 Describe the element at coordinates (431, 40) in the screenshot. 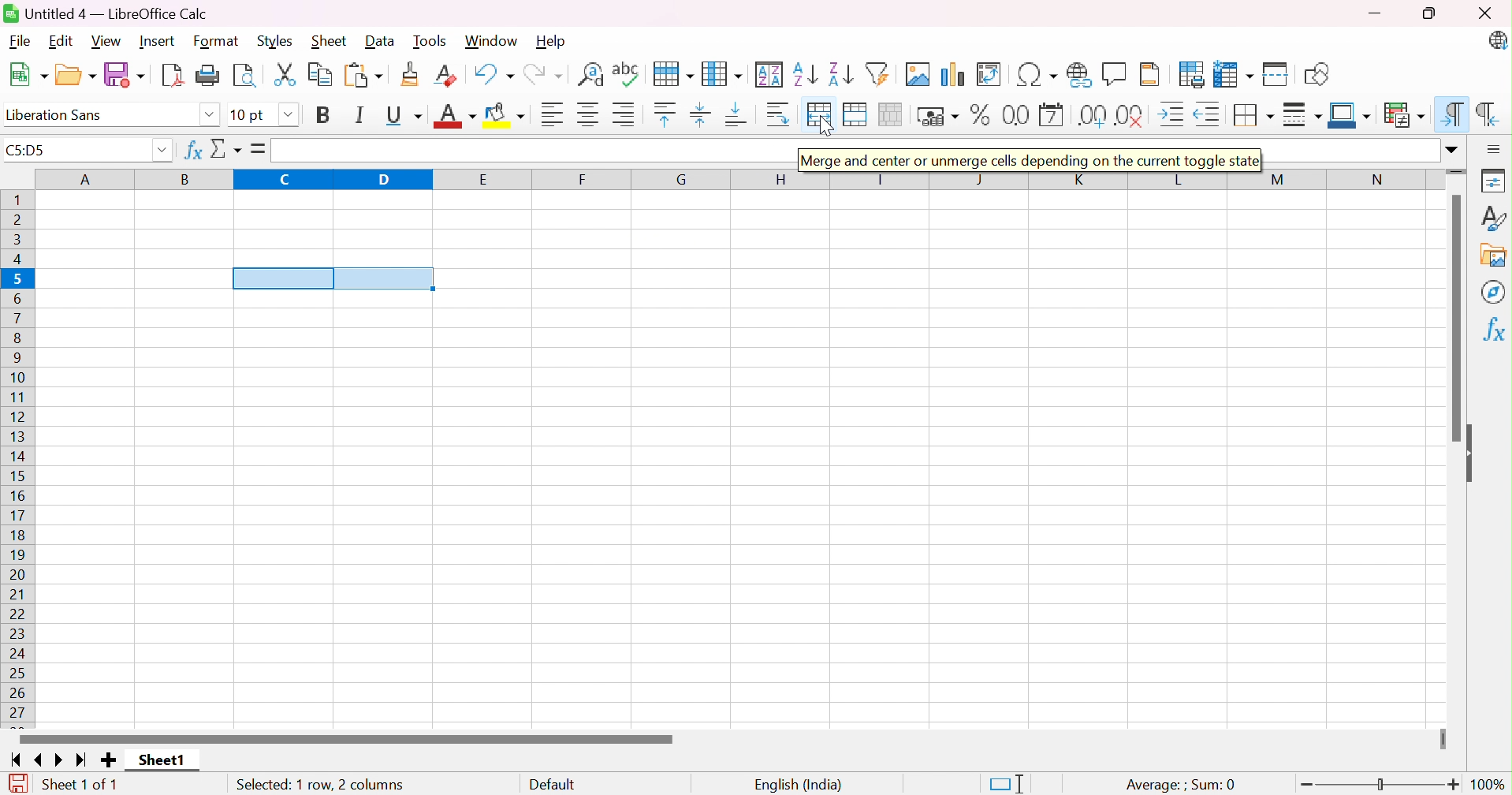

I see `Tools` at that location.